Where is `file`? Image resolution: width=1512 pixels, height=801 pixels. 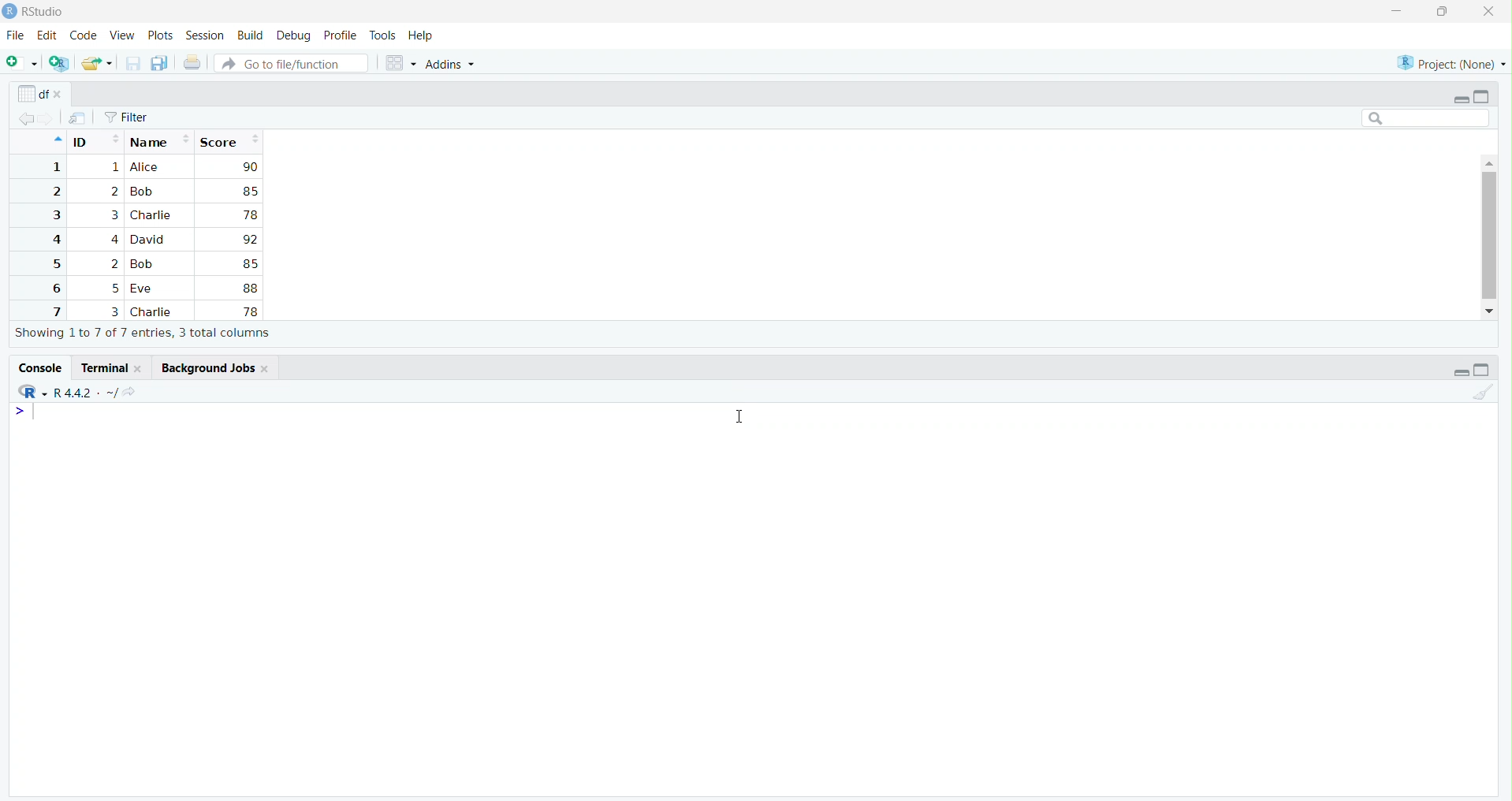 file is located at coordinates (78, 118).